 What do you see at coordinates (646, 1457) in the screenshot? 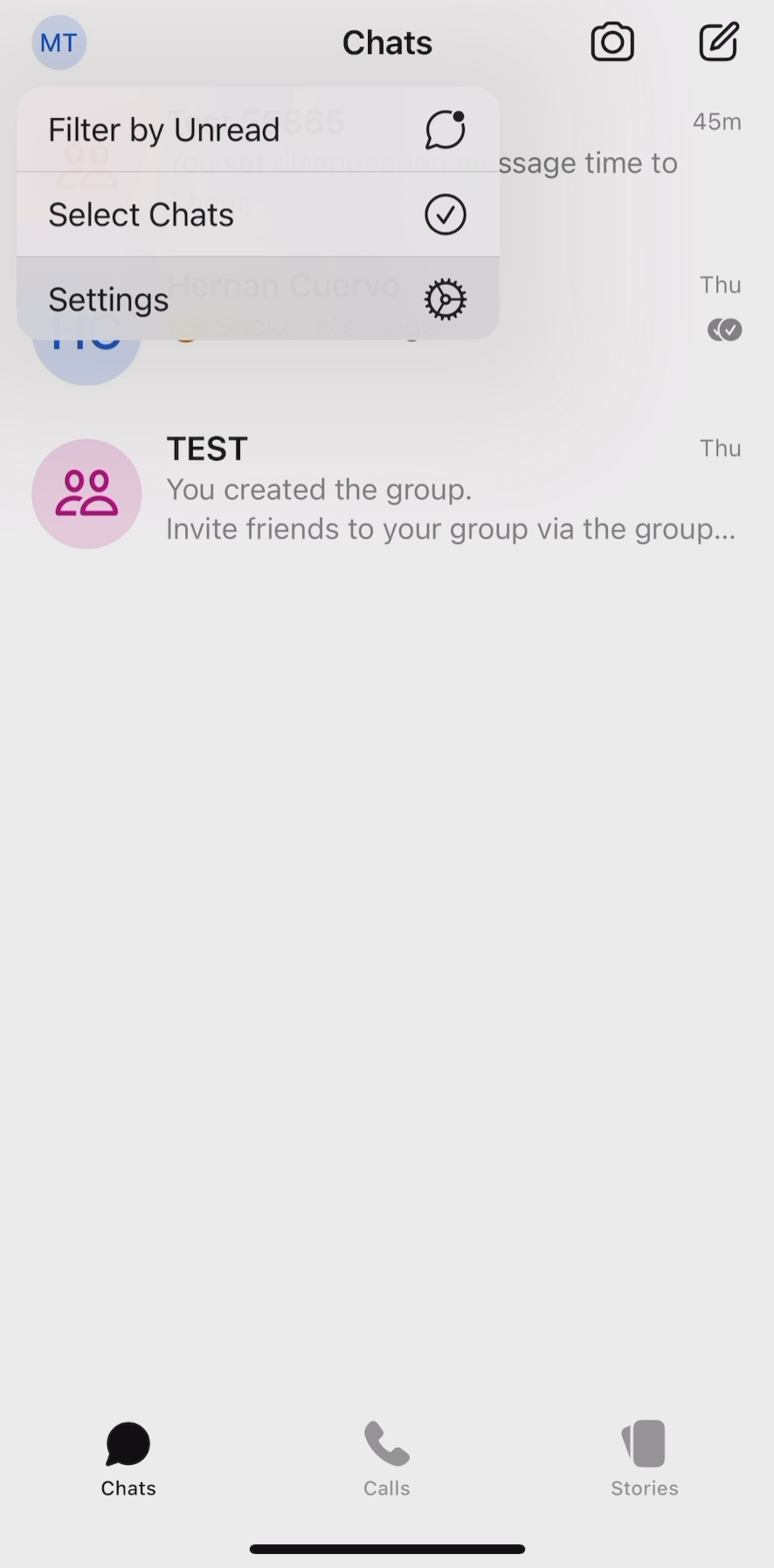
I see `stories` at bounding box center [646, 1457].